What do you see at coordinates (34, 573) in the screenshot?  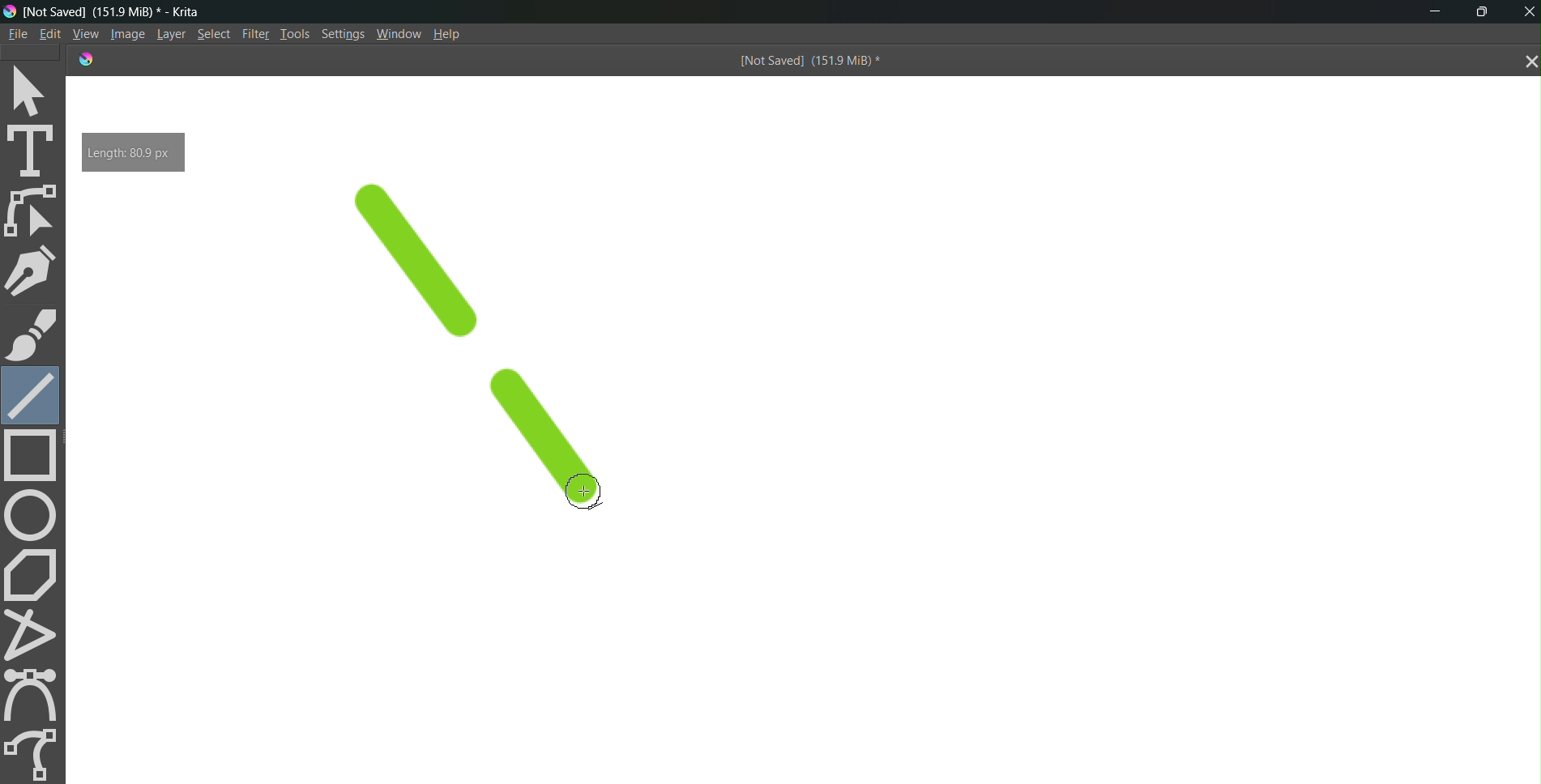 I see `polygon` at bounding box center [34, 573].